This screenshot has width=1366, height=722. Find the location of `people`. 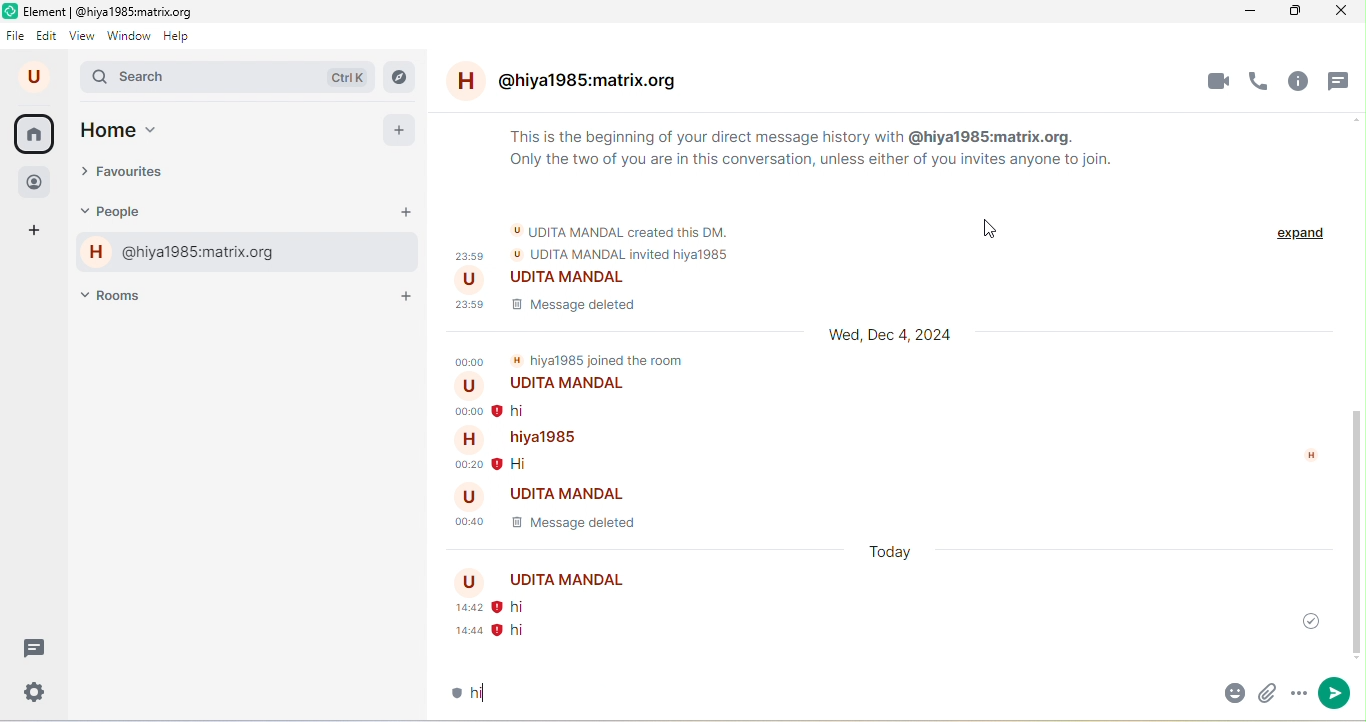

people is located at coordinates (130, 212).